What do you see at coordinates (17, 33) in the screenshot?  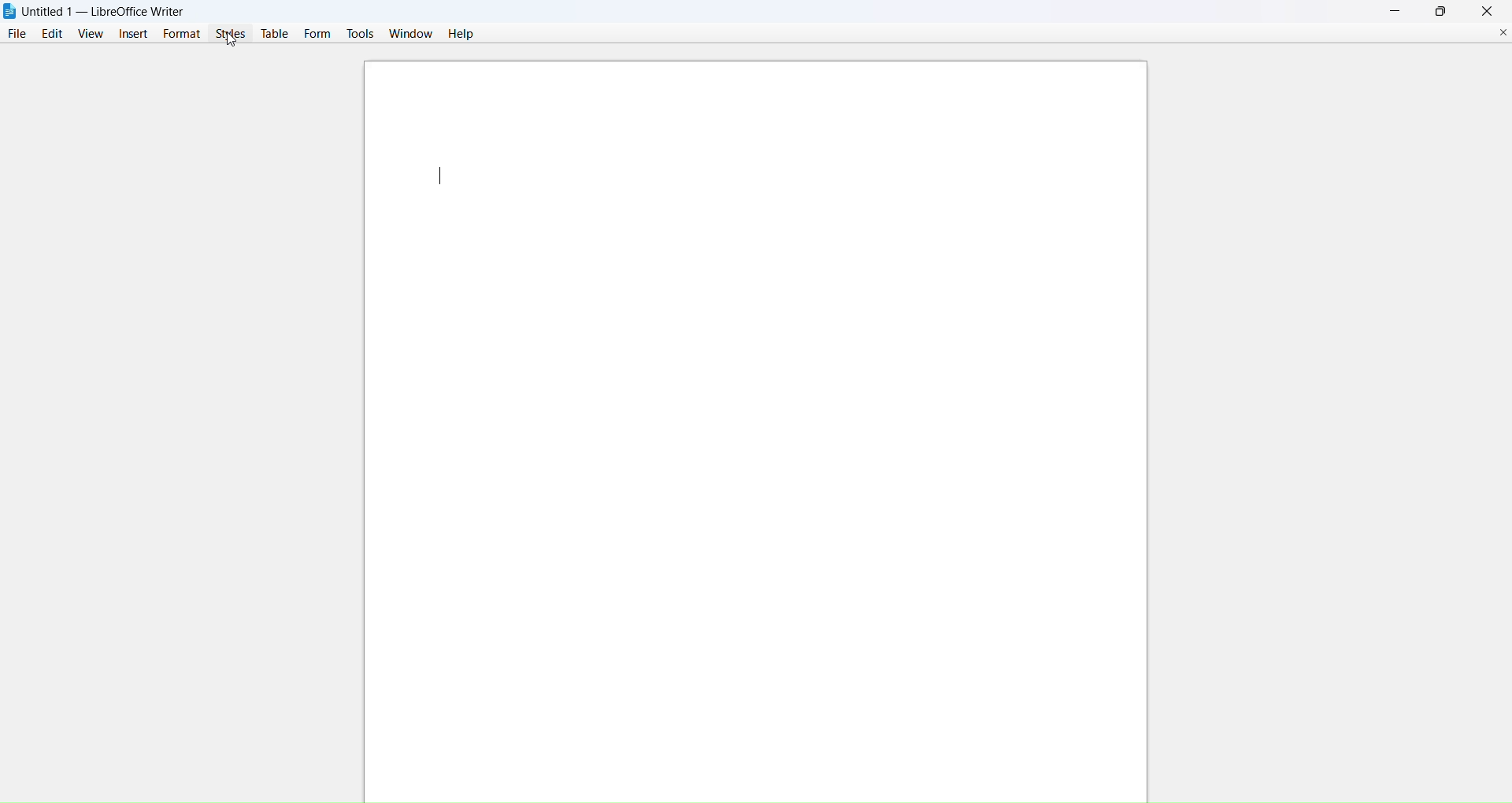 I see `file` at bounding box center [17, 33].